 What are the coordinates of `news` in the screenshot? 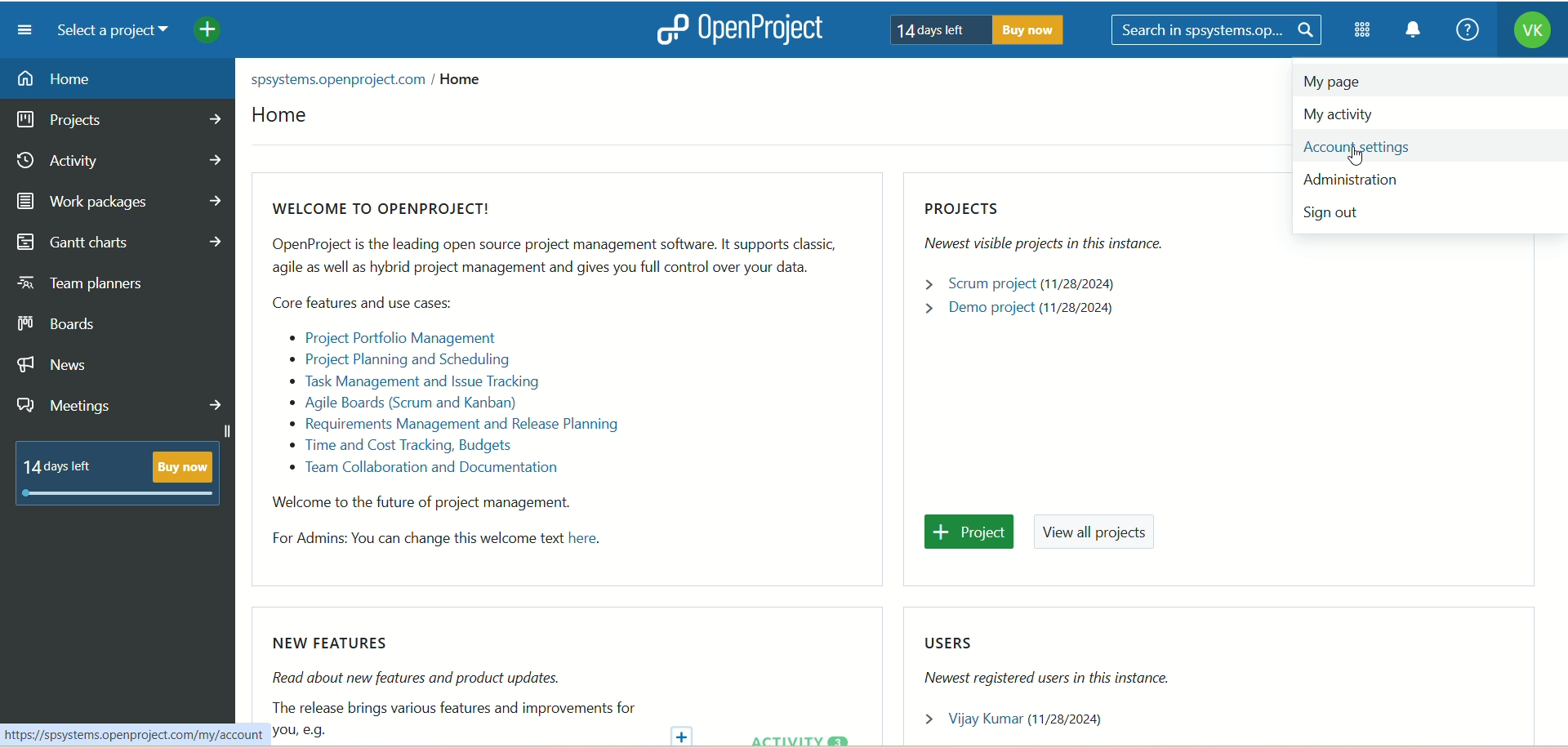 It's located at (73, 364).